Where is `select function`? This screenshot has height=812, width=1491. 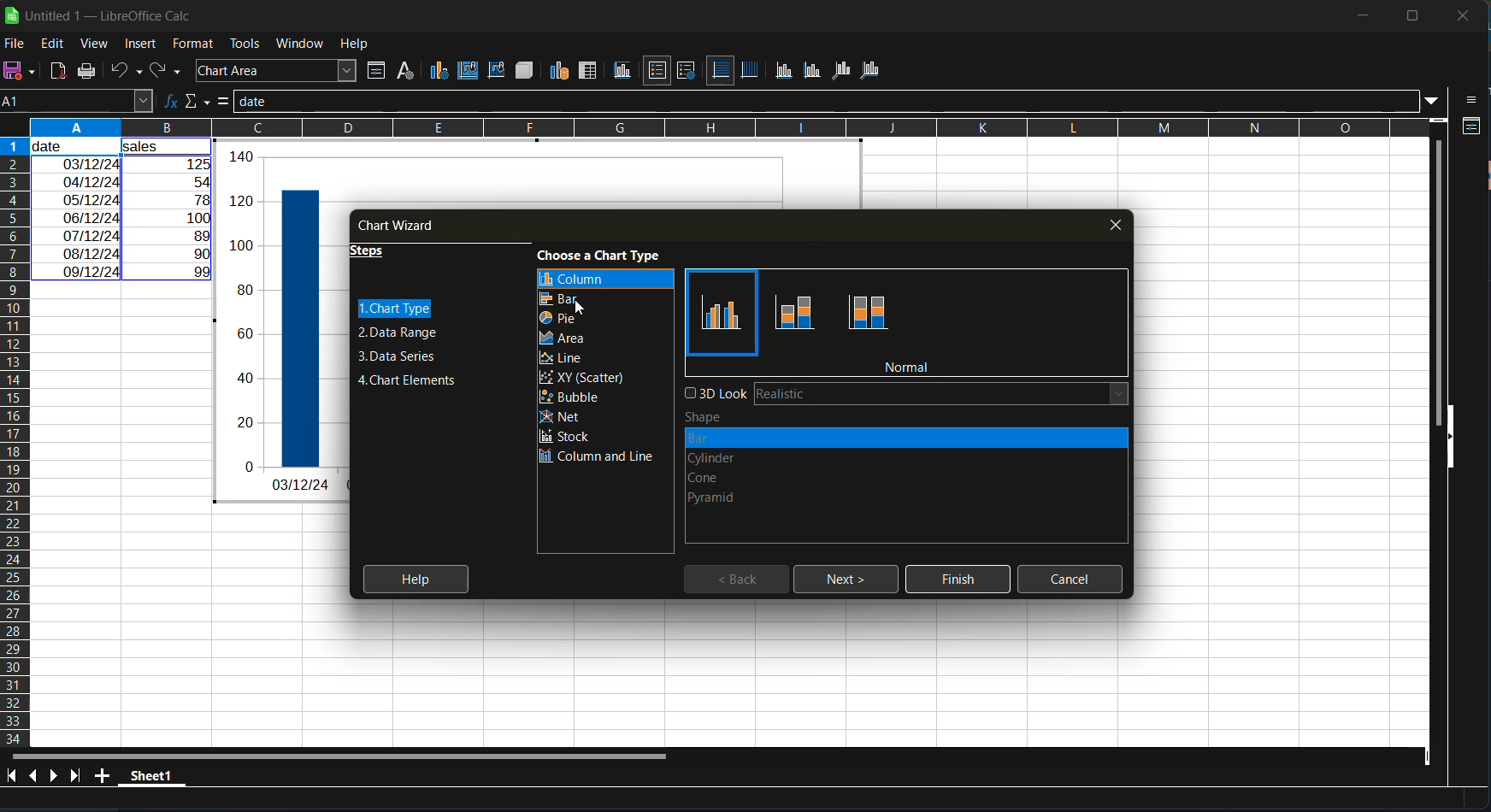
select function is located at coordinates (195, 102).